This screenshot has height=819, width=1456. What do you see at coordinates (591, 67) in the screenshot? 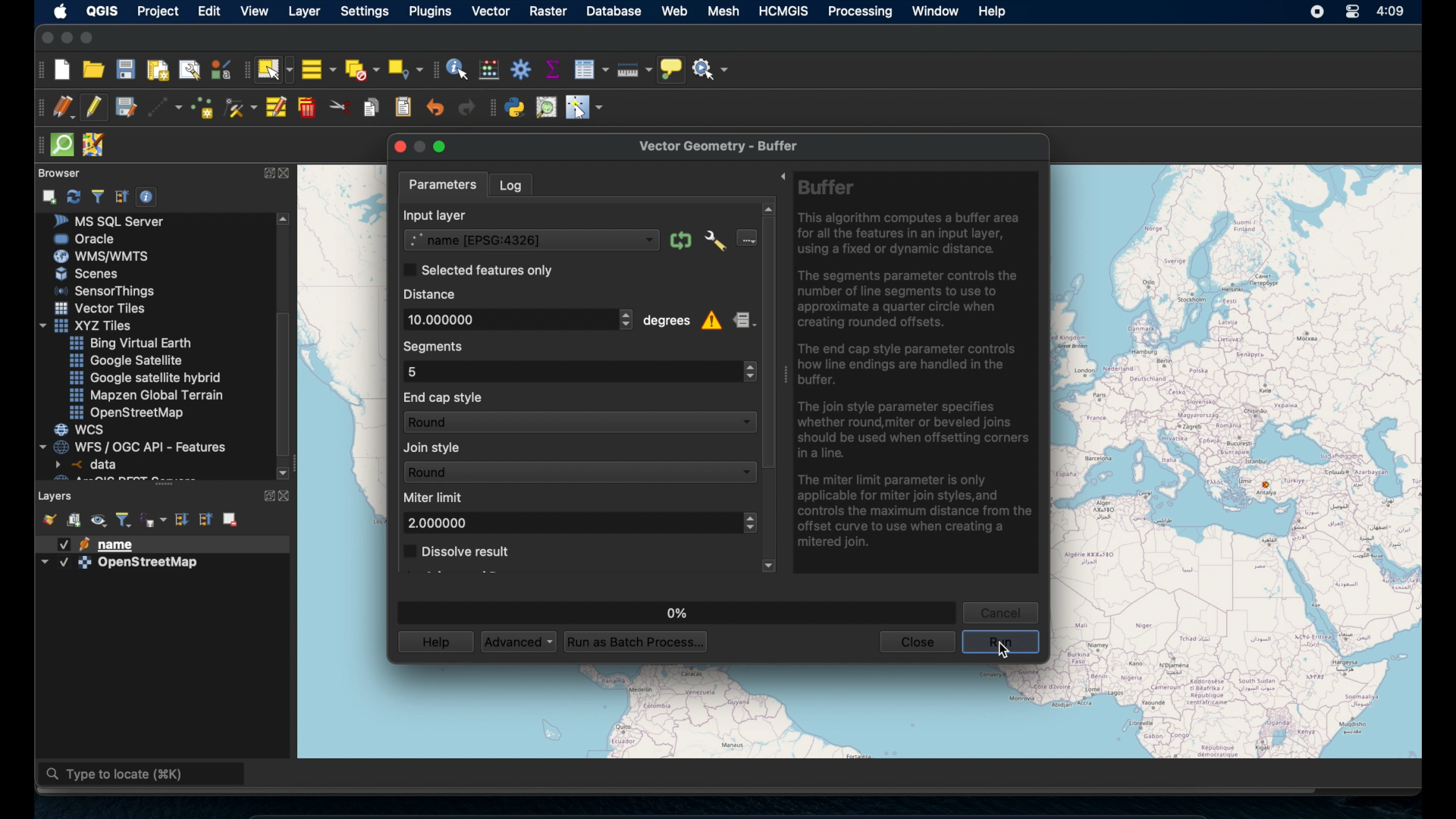
I see `open attributes table` at bounding box center [591, 67].